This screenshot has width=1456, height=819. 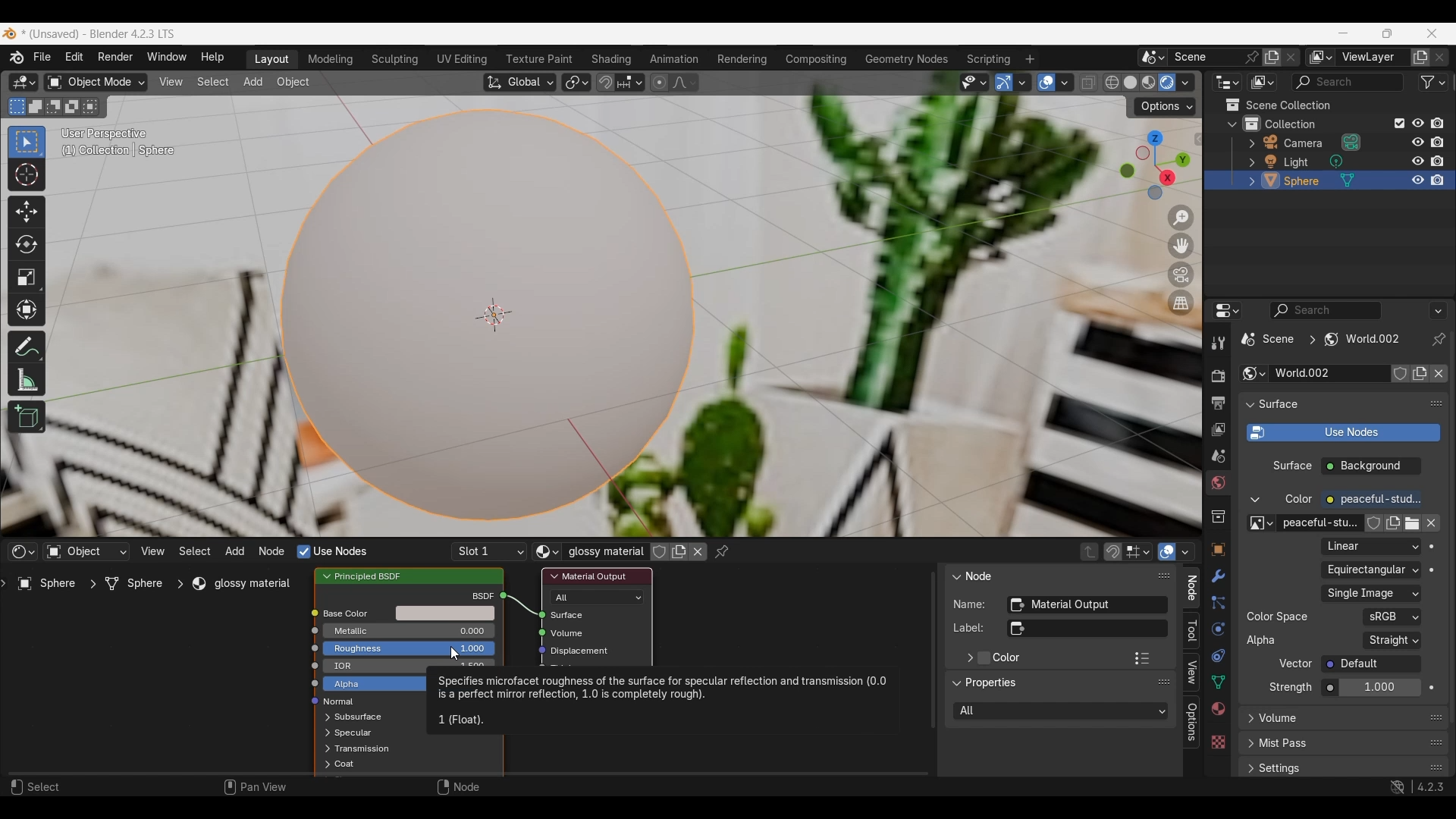 I want to click on icon, so click(x=309, y=685).